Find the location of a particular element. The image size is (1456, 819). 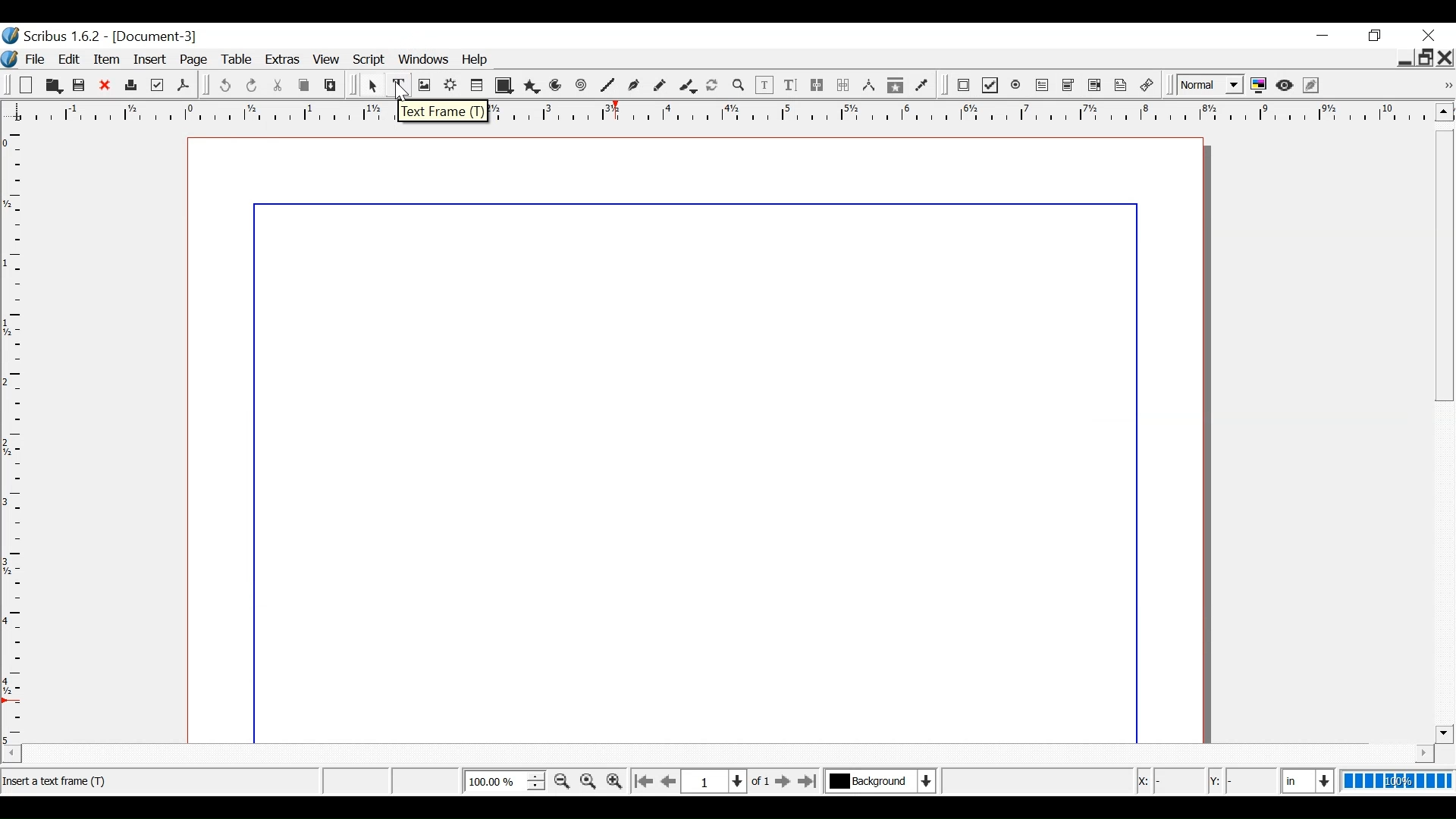

Scroll up is located at coordinates (1442, 111).